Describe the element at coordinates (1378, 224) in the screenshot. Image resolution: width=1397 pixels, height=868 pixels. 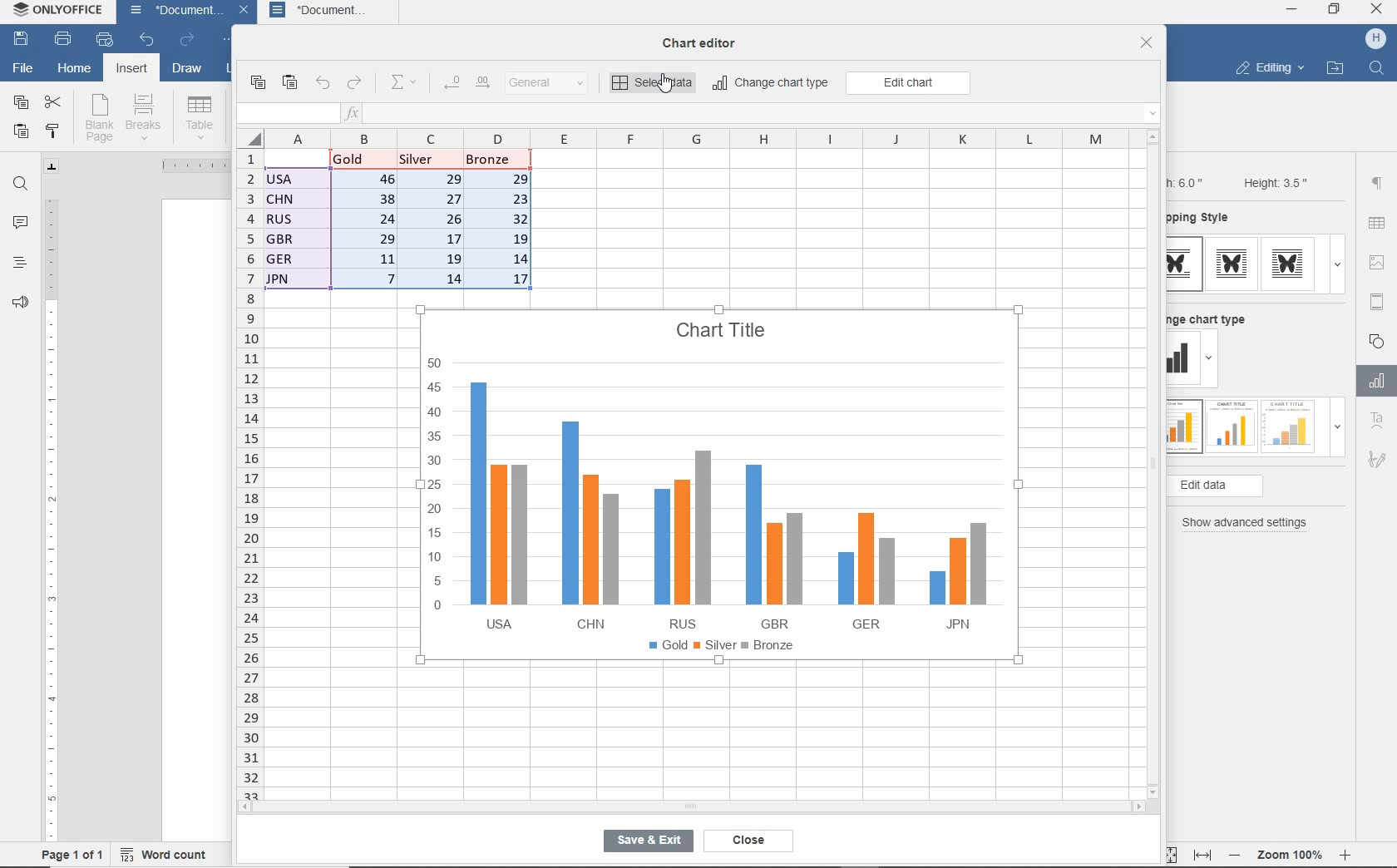
I see `table` at that location.